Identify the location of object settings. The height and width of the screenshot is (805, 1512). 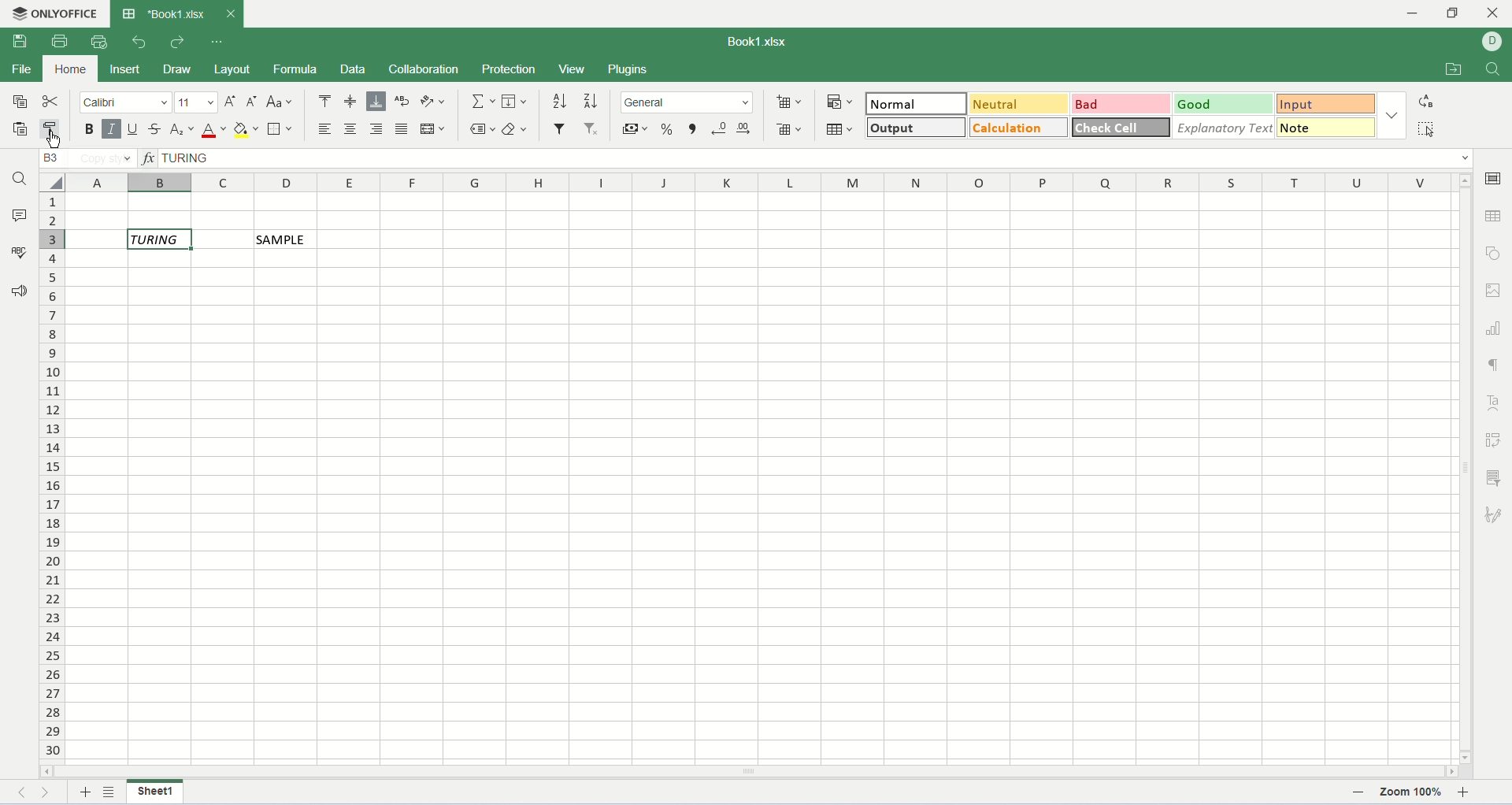
(1496, 253).